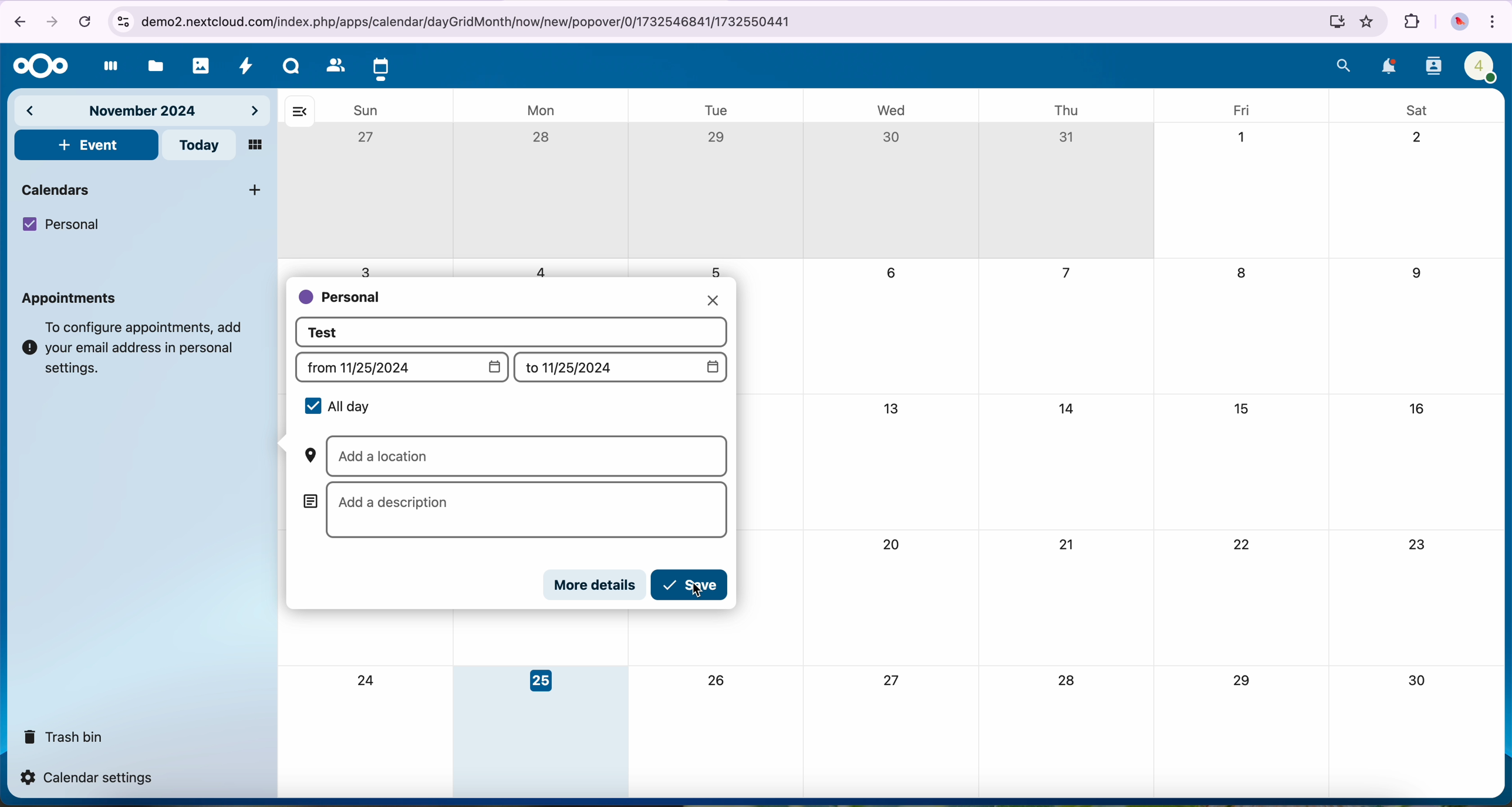 This screenshot has height=807, width=1512. Describe the element at coordinates (720, 680) in the screenshot. I see `26` at that location.